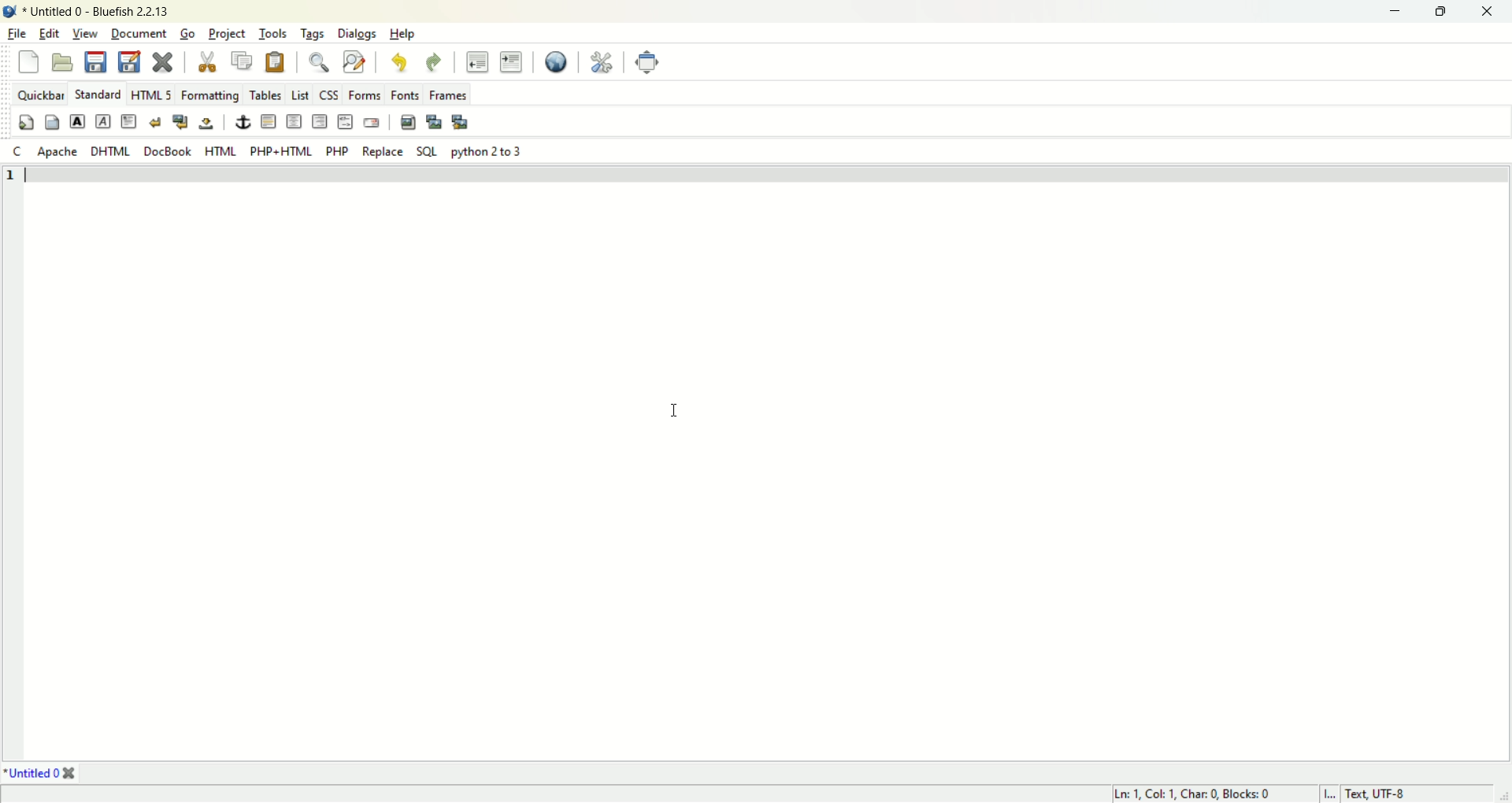  What do you see at coordinates (269, 121) in the screenshot?
I see `horizontal rule` at bounding box center [269, 121].